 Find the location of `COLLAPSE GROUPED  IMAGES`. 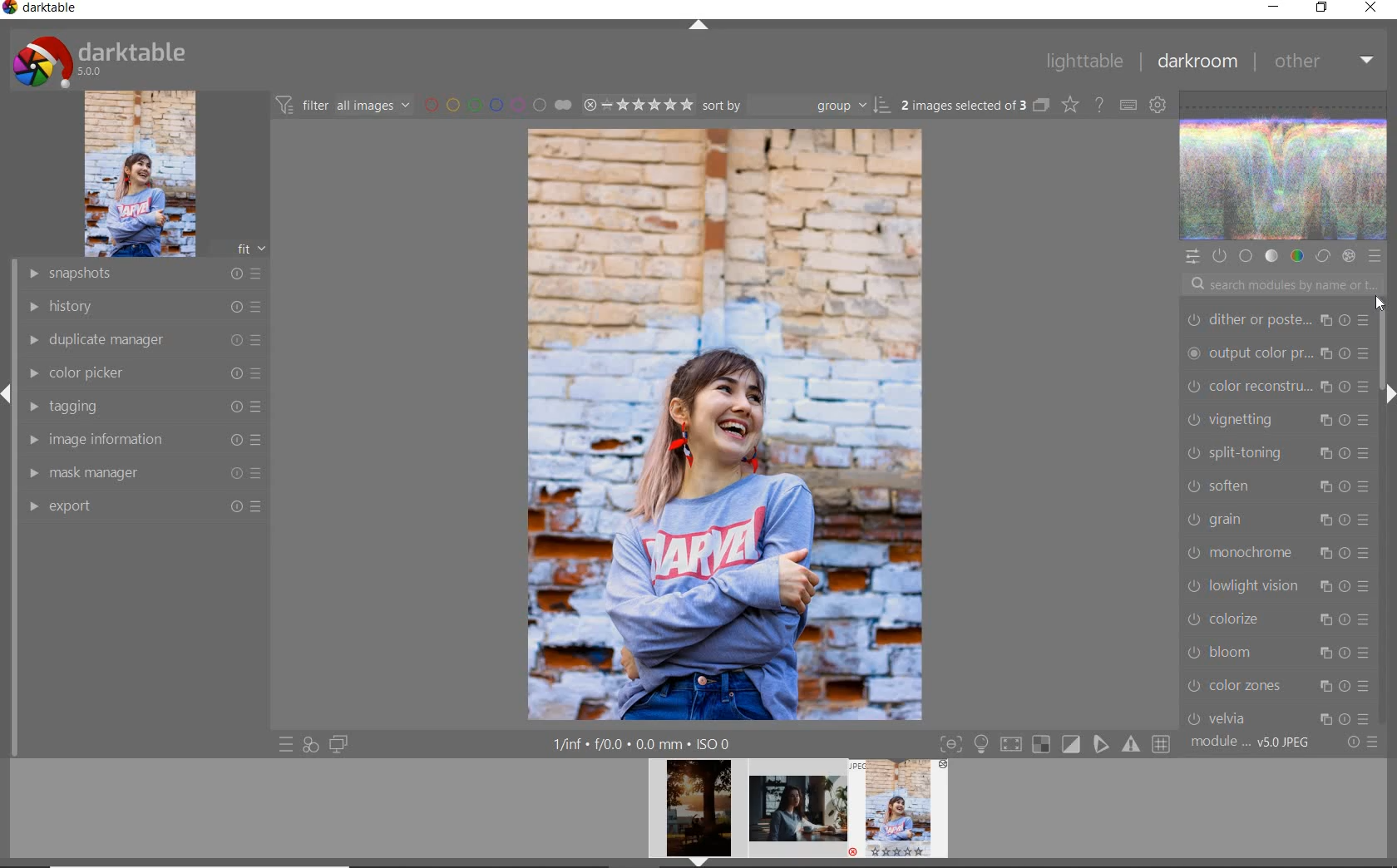

COLLAPSE GROUPED  IMAGES is located at coordinates (1041, 104).